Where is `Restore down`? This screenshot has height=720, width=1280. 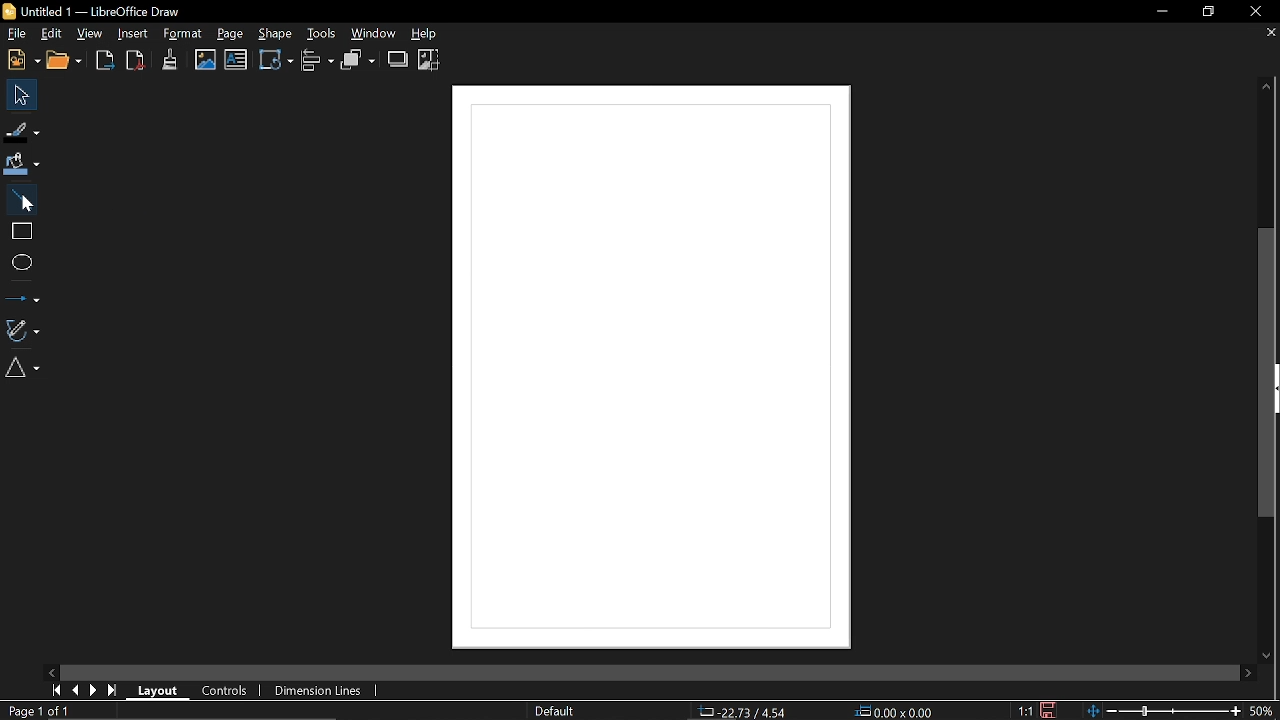
Restore down is located at coordinates (1204, 12).